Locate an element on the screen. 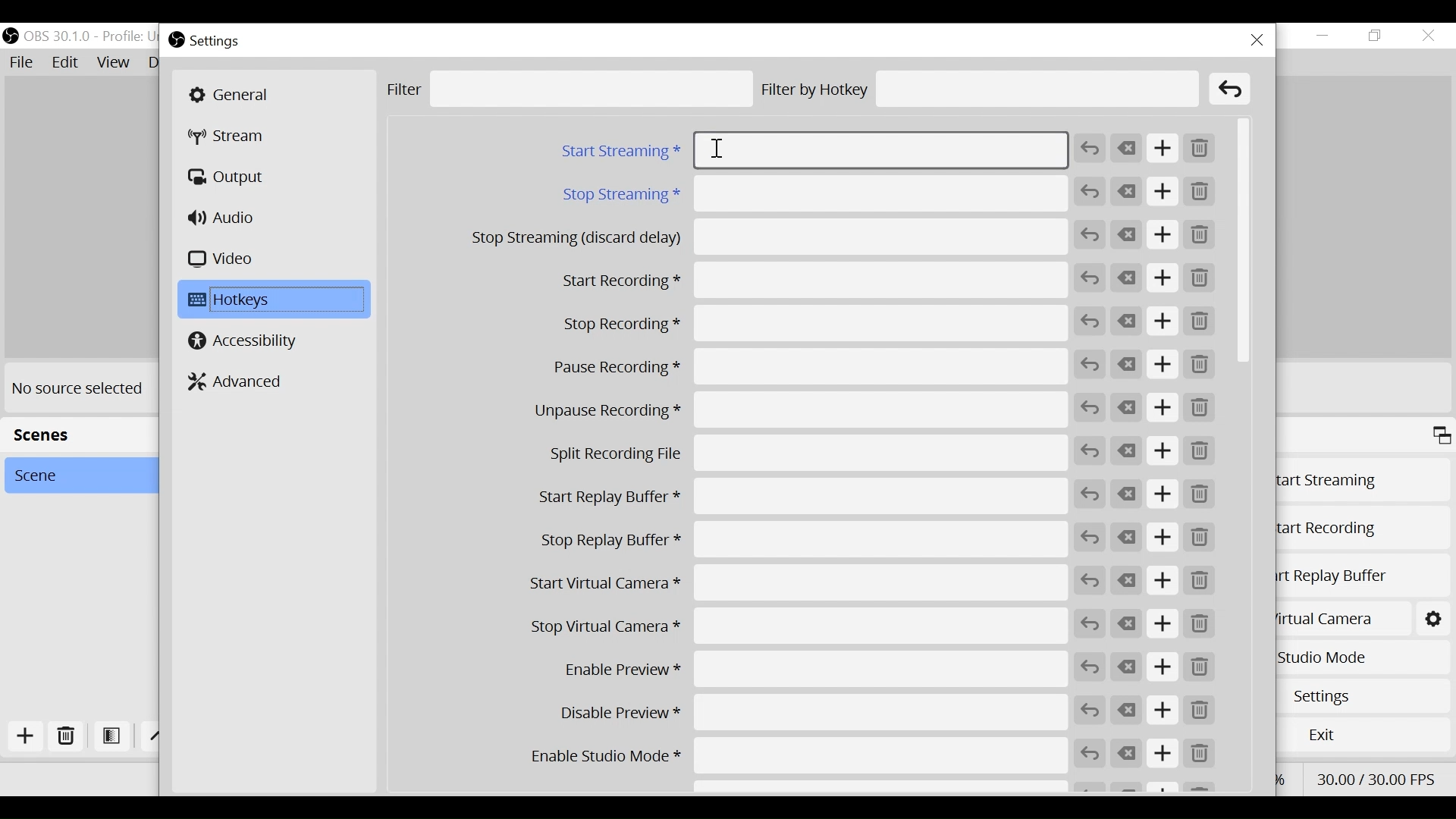  Accessibility is located at coordinates (244, 341).